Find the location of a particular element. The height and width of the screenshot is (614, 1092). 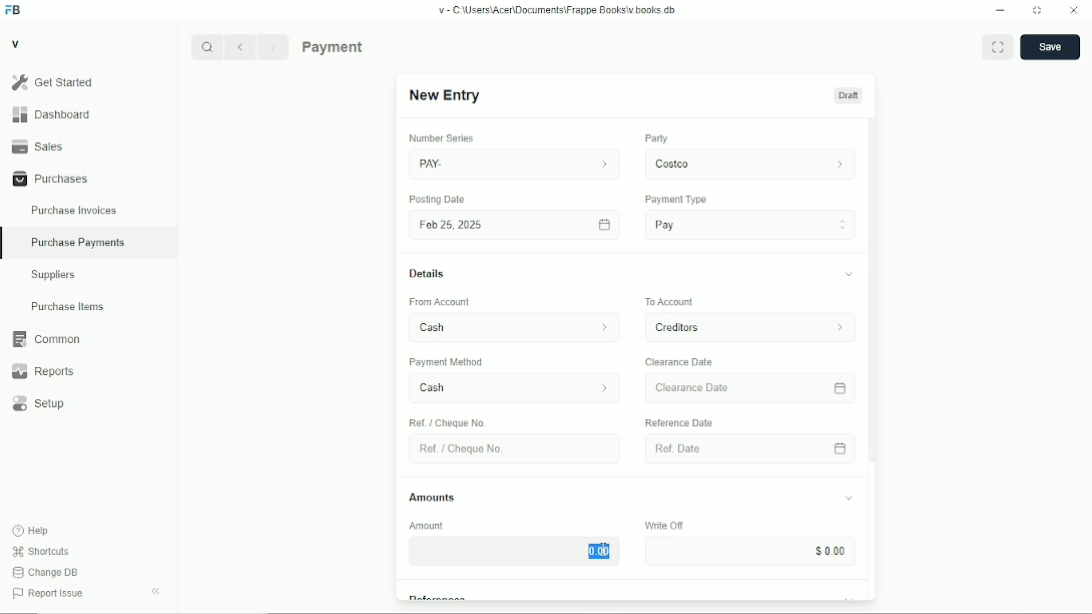

Reports is located at coordinates (89, 371).